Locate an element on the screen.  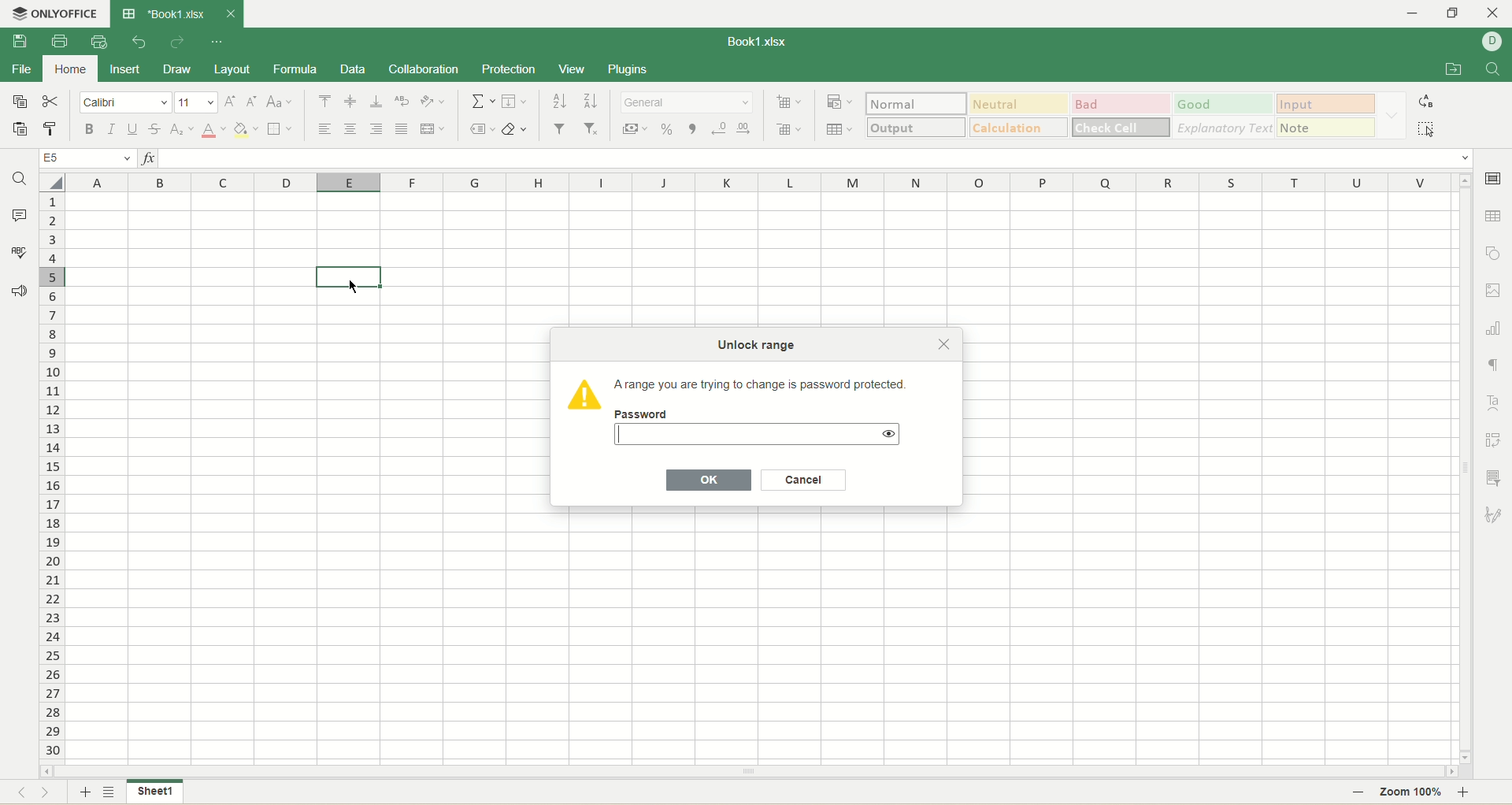
conditional formatting is located at coordinates (837, 103).